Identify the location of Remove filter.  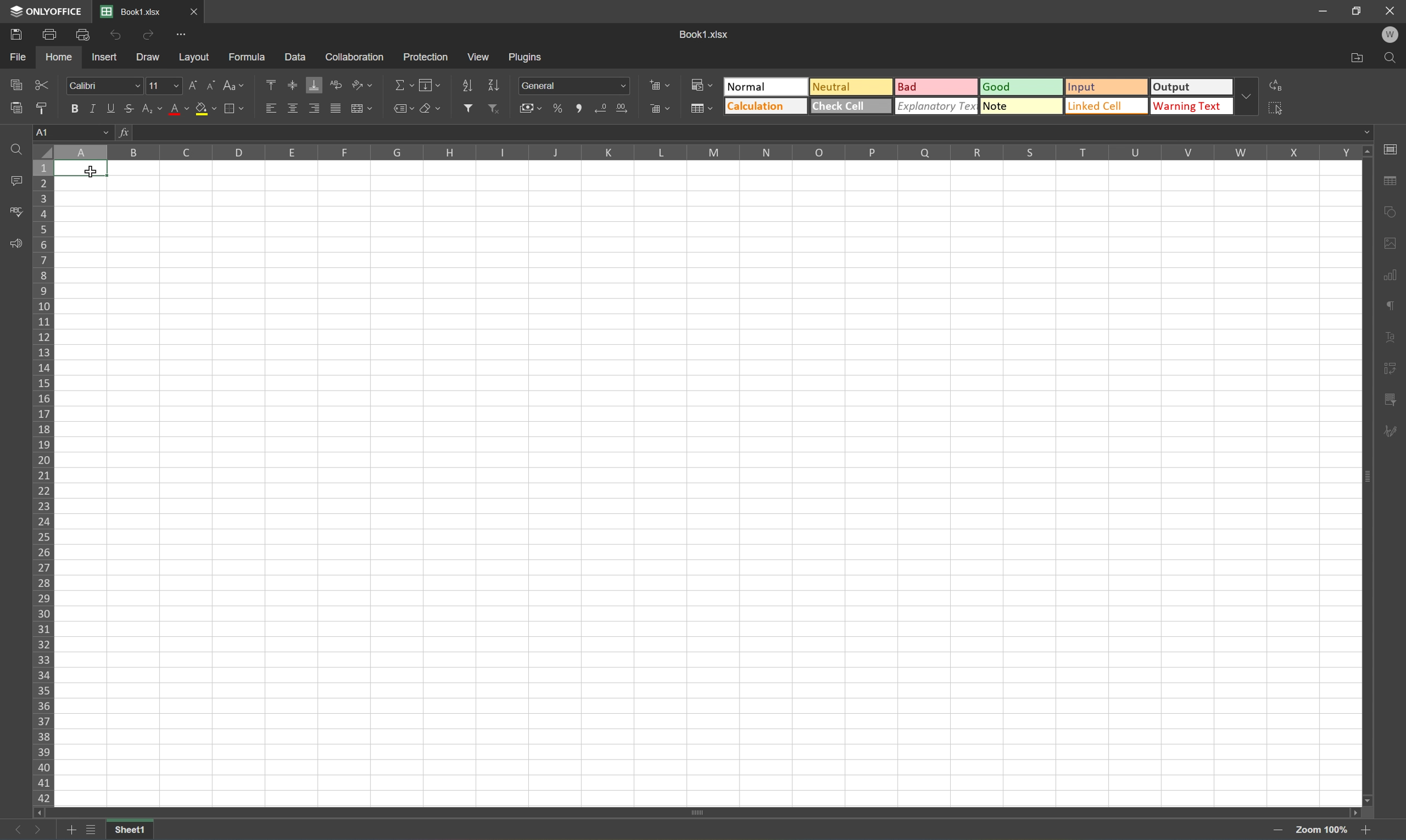
(493, 108).